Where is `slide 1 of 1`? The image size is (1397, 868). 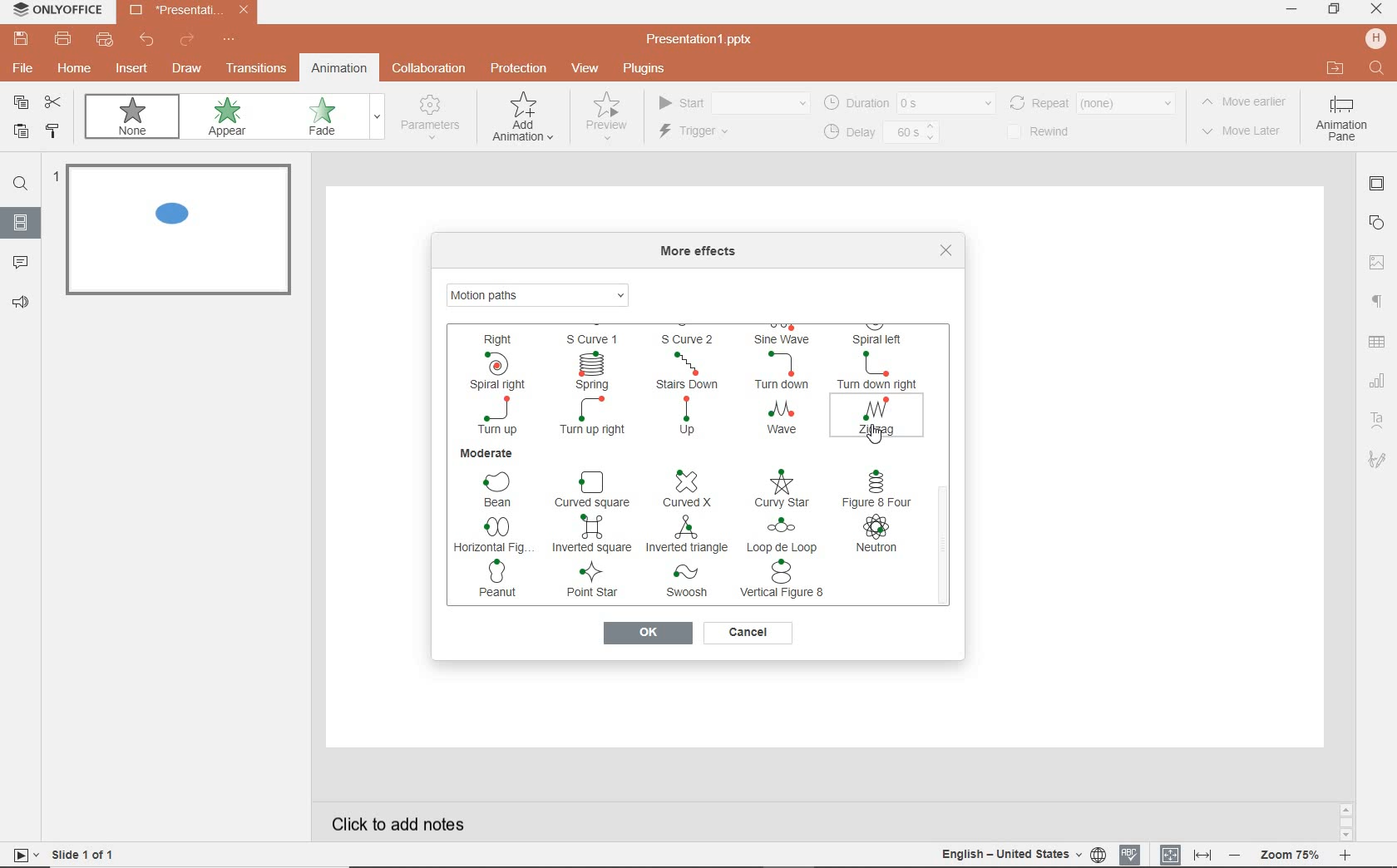
slide 1 of 1 is located at coordinates (87, 857).